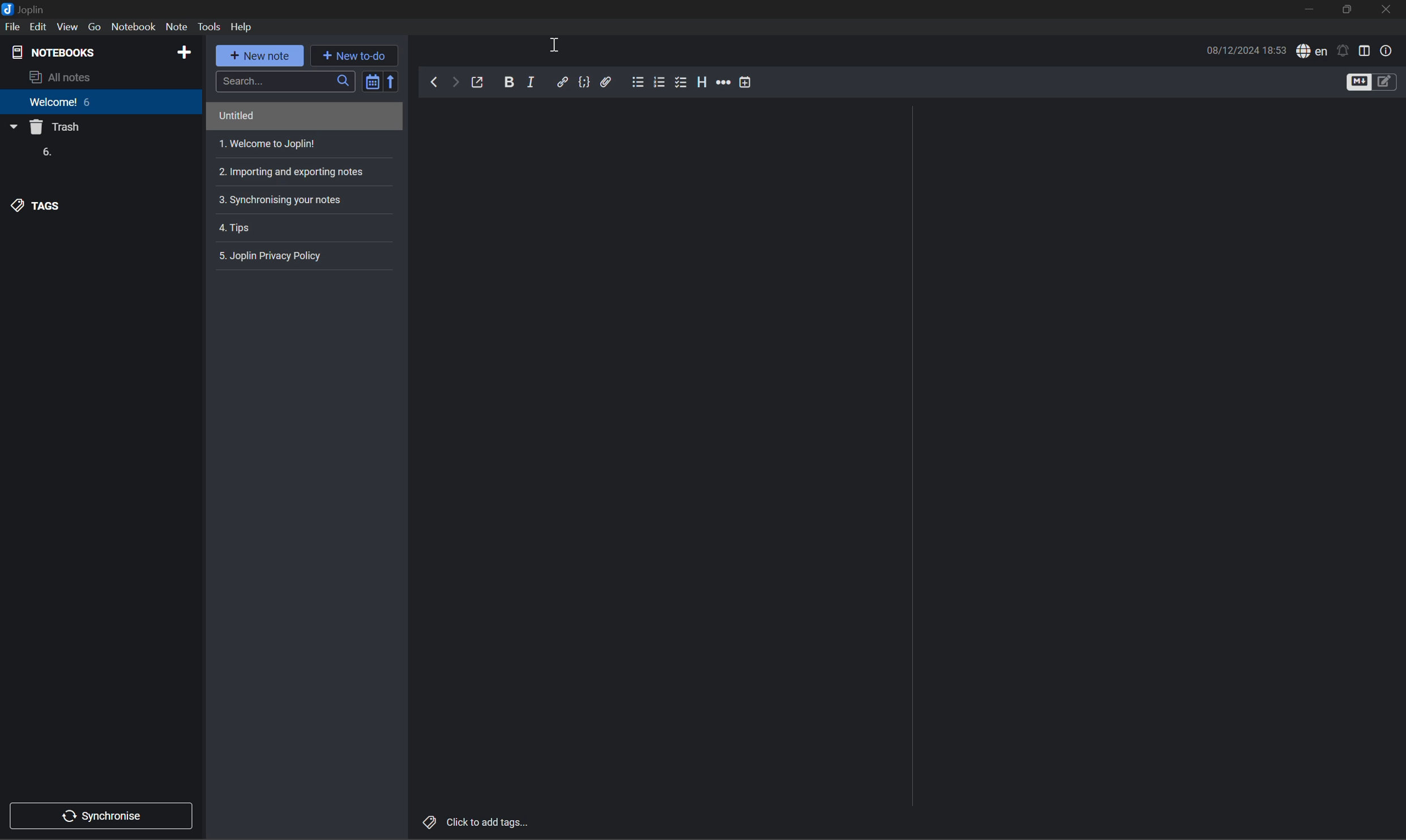 The height and width of the screenshot is (840, 1406). Describe the element at coordinates (370, 80) in the screenshot. I see `Toggle sort order field` at that location.